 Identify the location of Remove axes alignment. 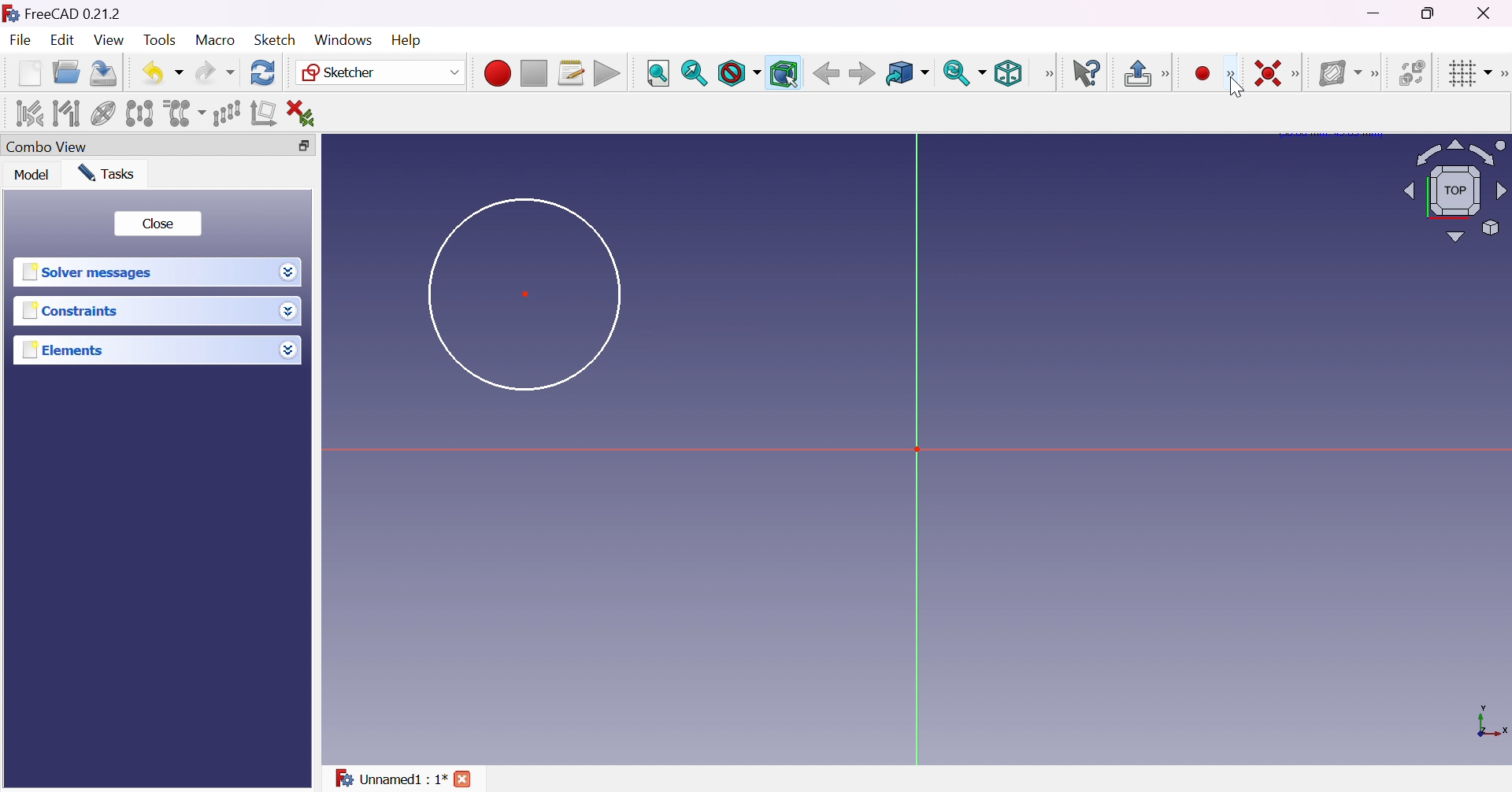
(264, 114).